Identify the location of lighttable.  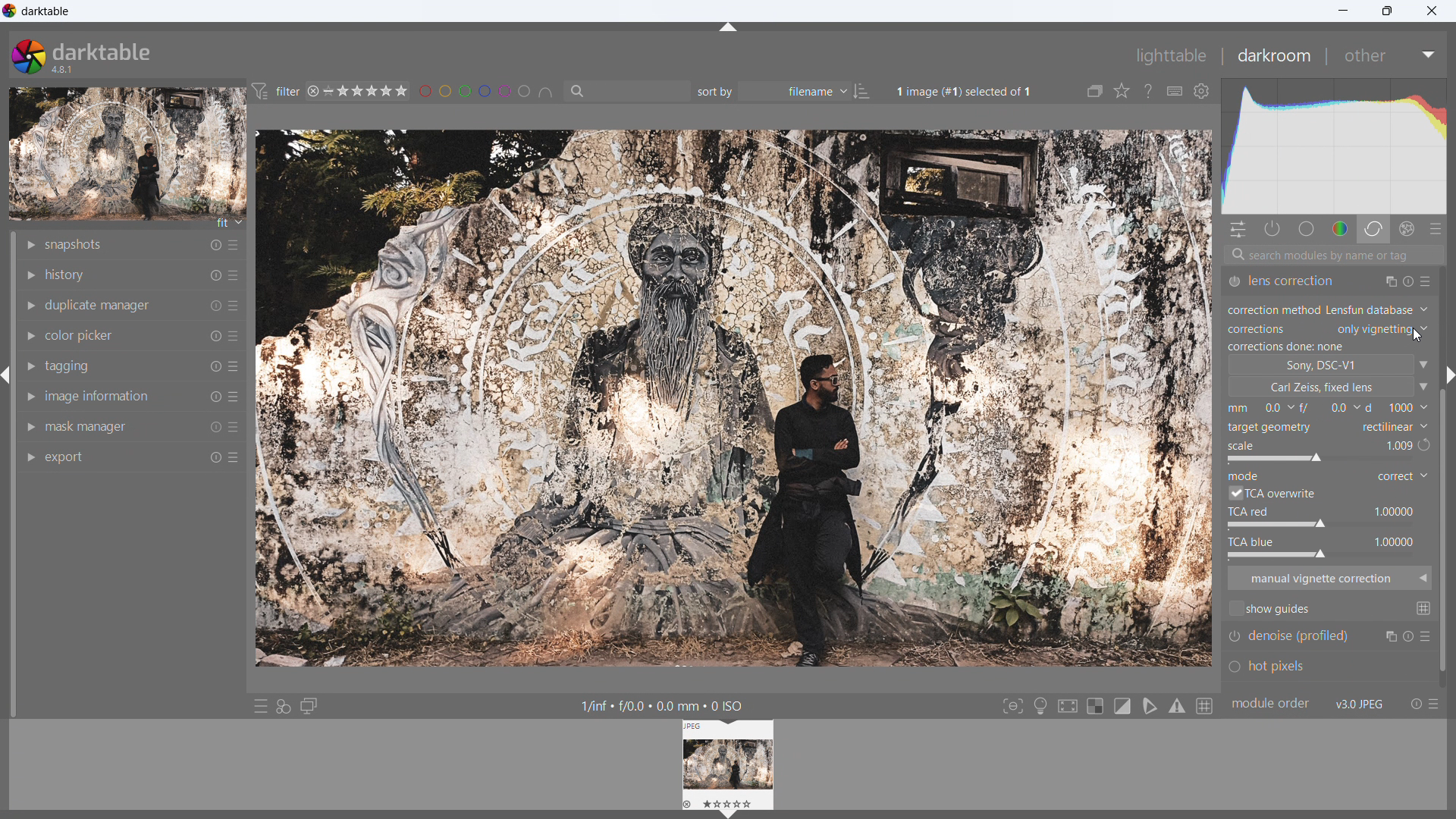
(1172, 55).